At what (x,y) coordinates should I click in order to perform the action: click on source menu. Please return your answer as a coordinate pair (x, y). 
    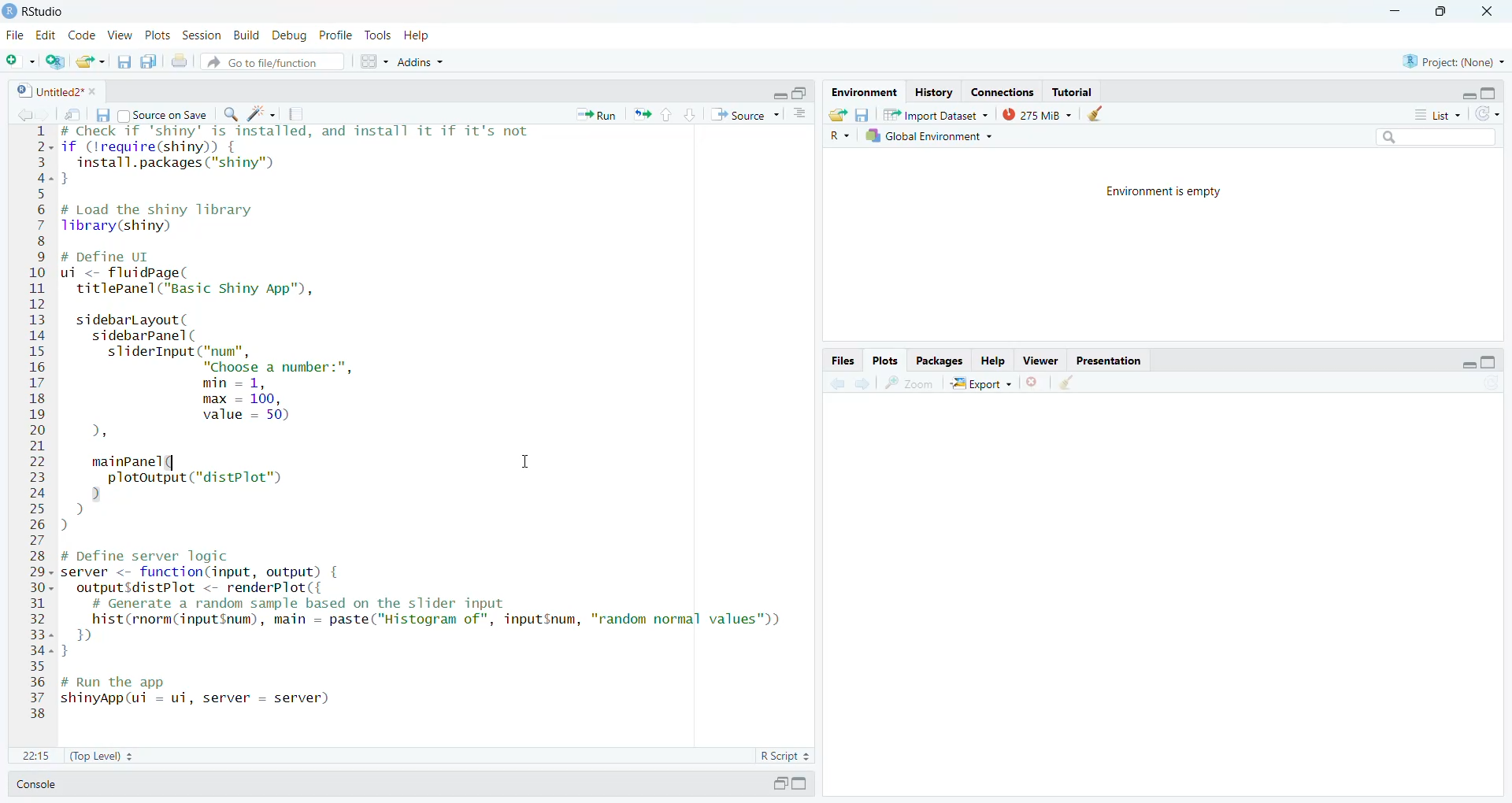
    Looking at the image, I should click on (745, 115).